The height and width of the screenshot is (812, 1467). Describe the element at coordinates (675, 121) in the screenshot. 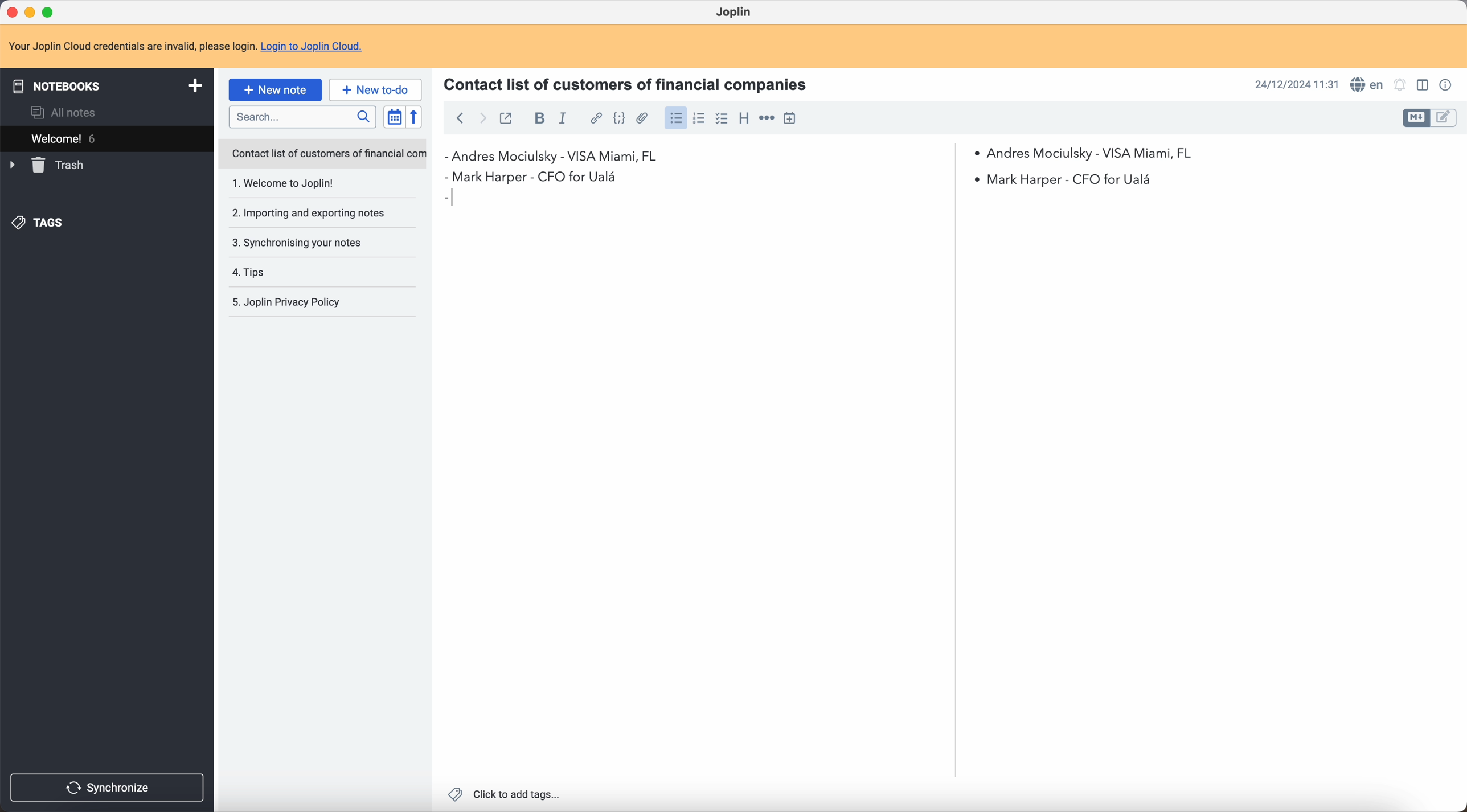

I see `click on bulleted list` at that location.